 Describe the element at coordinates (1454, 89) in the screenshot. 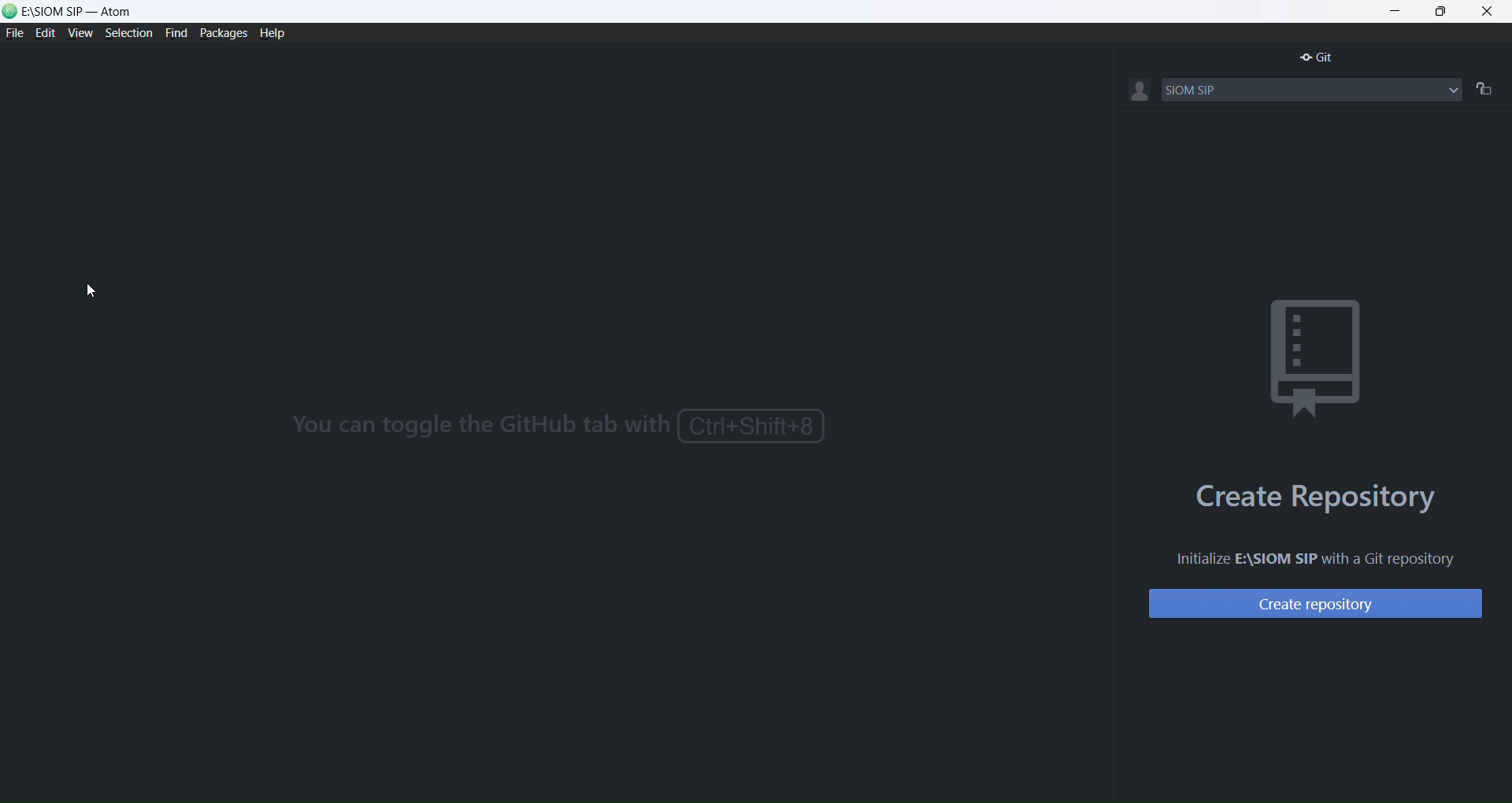

I see `project dropdown` at that location.